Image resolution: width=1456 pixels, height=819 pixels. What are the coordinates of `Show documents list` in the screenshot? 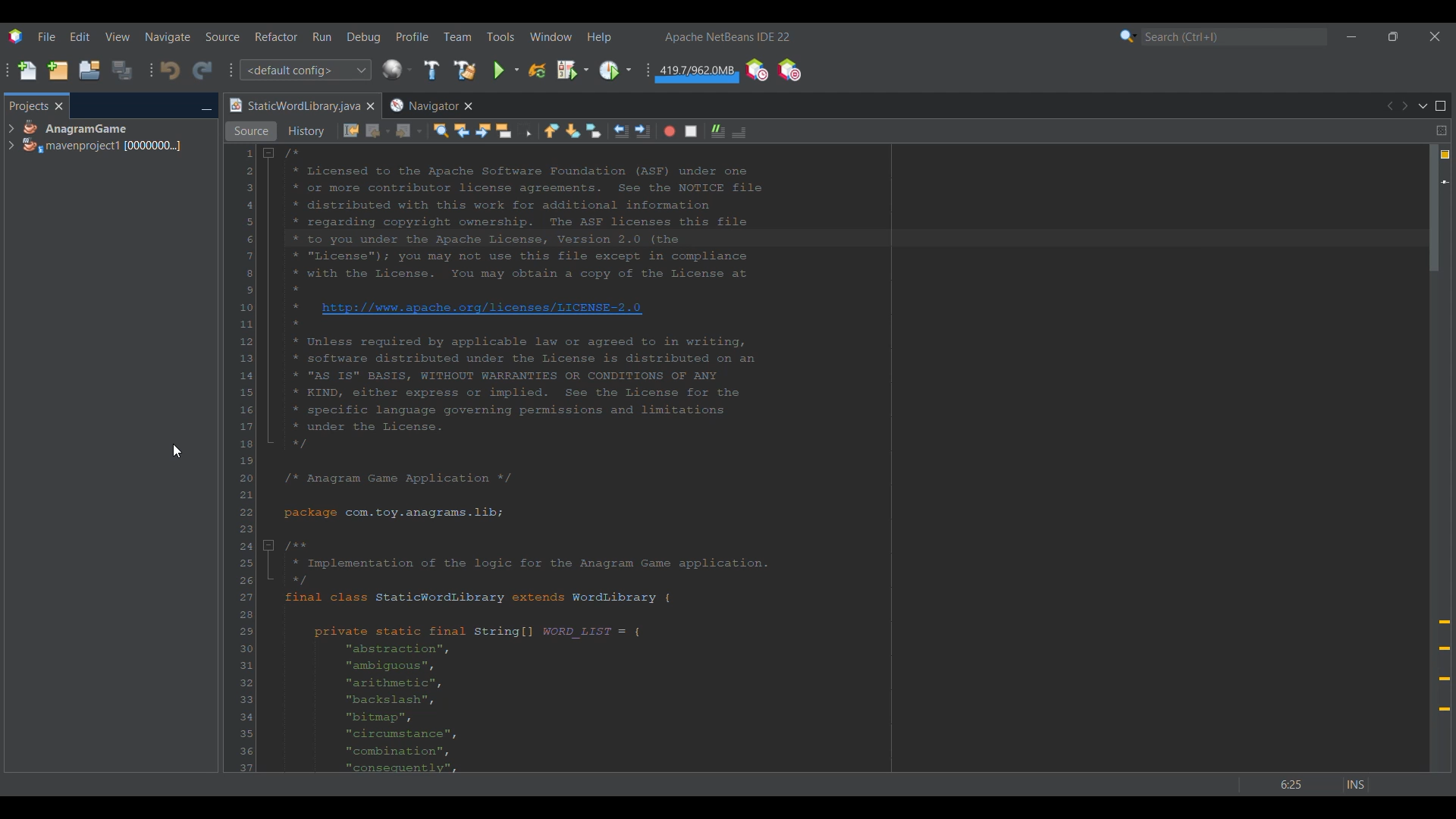 It's located at (1423, 105).